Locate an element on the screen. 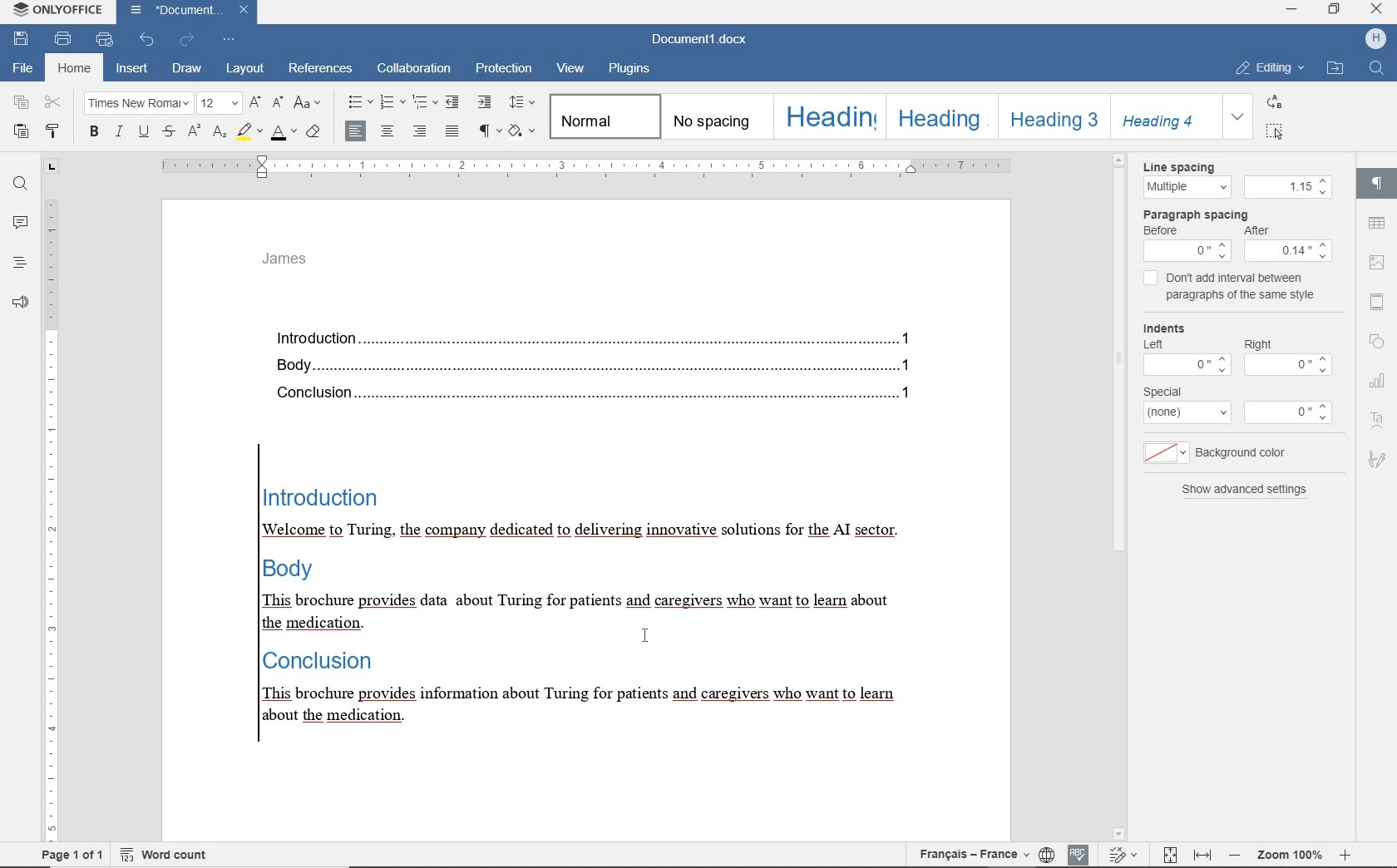 The width and height of the screenshot is (1397, 868). After is located at coordinates (1266, 231).